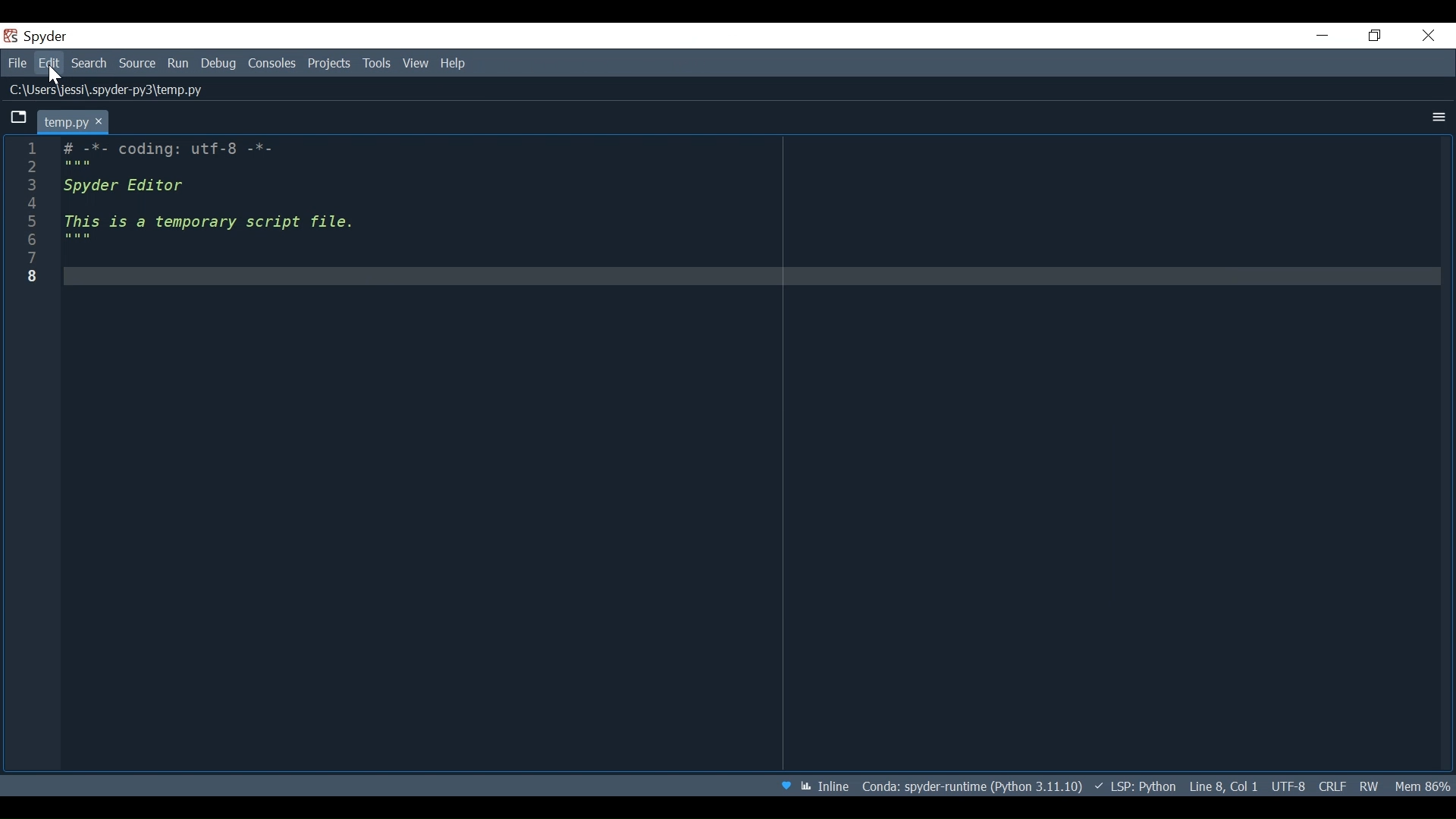 This screenshot has height=819, width=1456. Describe the element at coordinates (51, 64) in the screenshot. I see `Edit` at that location.